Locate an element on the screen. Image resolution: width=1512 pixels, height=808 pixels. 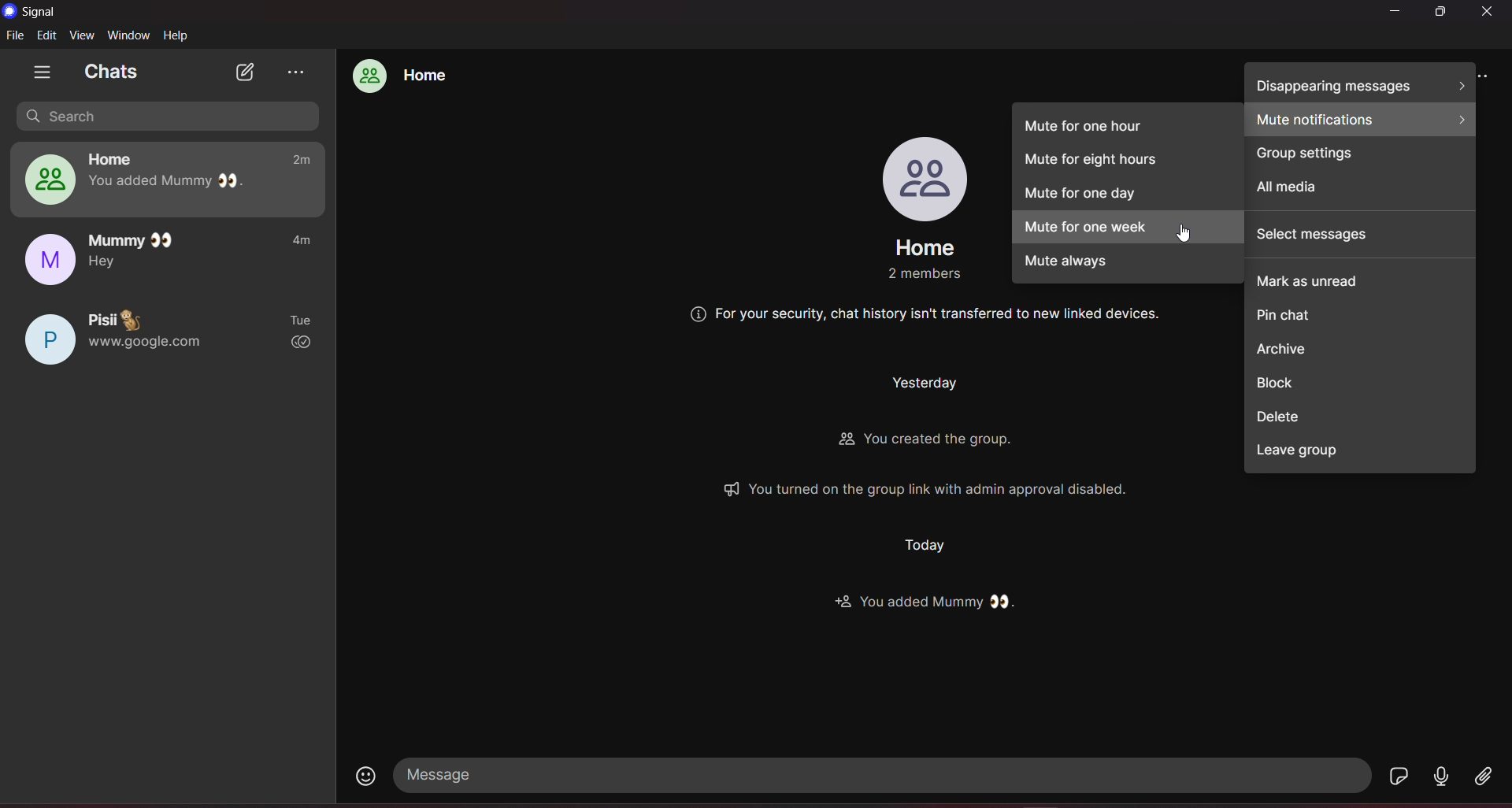
 is located at coordinates (925, 547).